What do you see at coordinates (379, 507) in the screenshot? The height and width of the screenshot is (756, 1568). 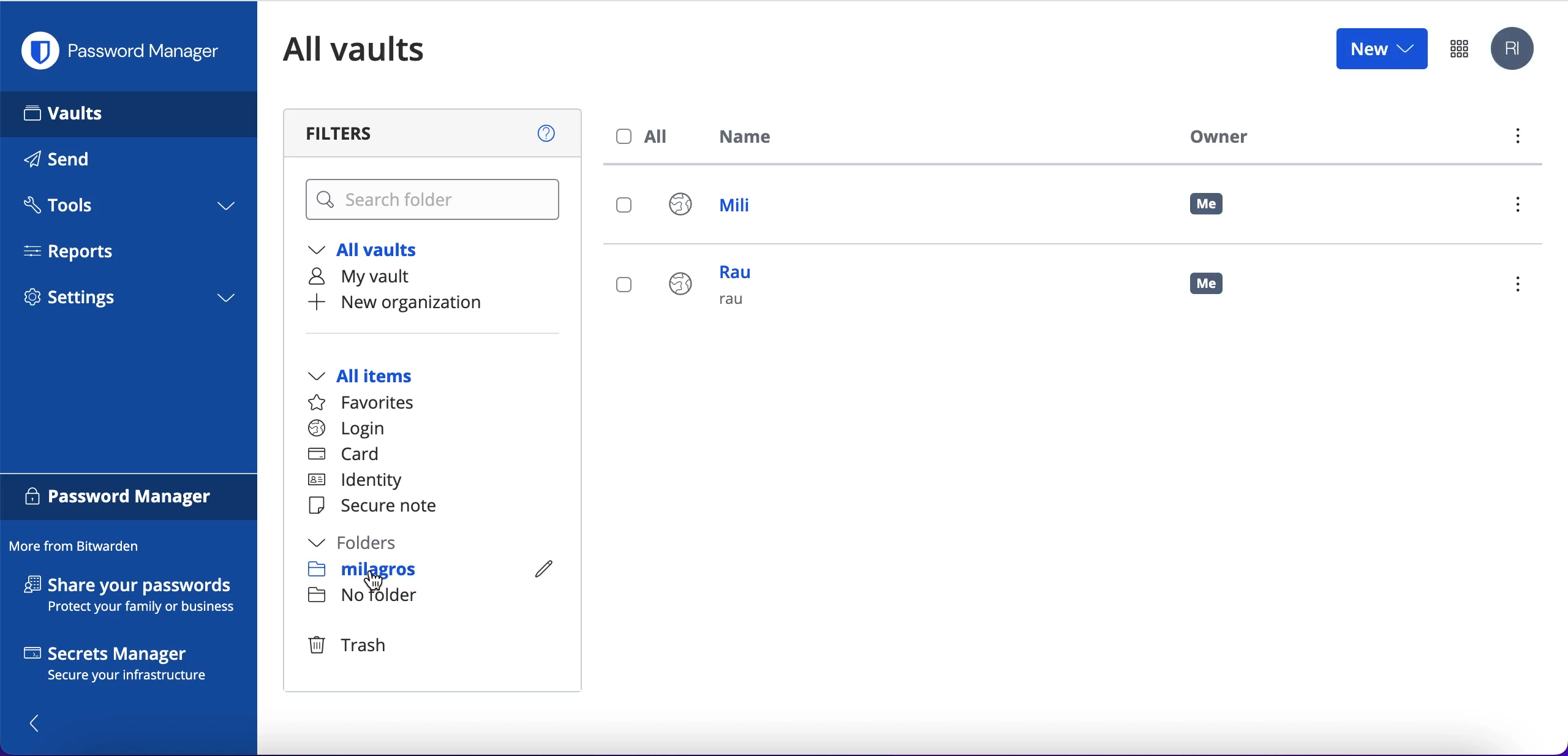 I see `secure note` at bounding box center [379, 507].